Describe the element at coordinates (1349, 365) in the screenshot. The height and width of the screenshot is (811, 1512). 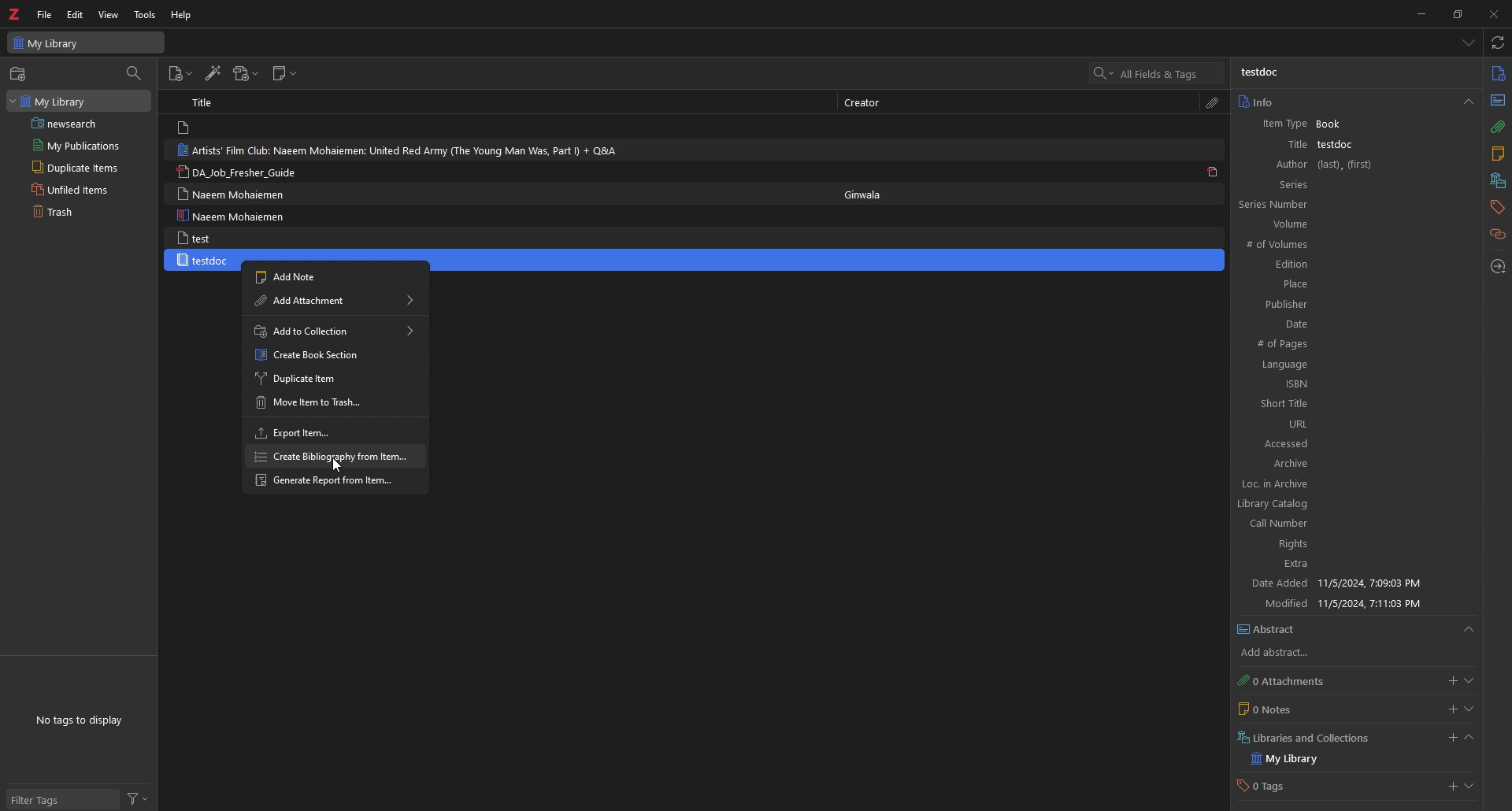
I see `Languages` at that location.